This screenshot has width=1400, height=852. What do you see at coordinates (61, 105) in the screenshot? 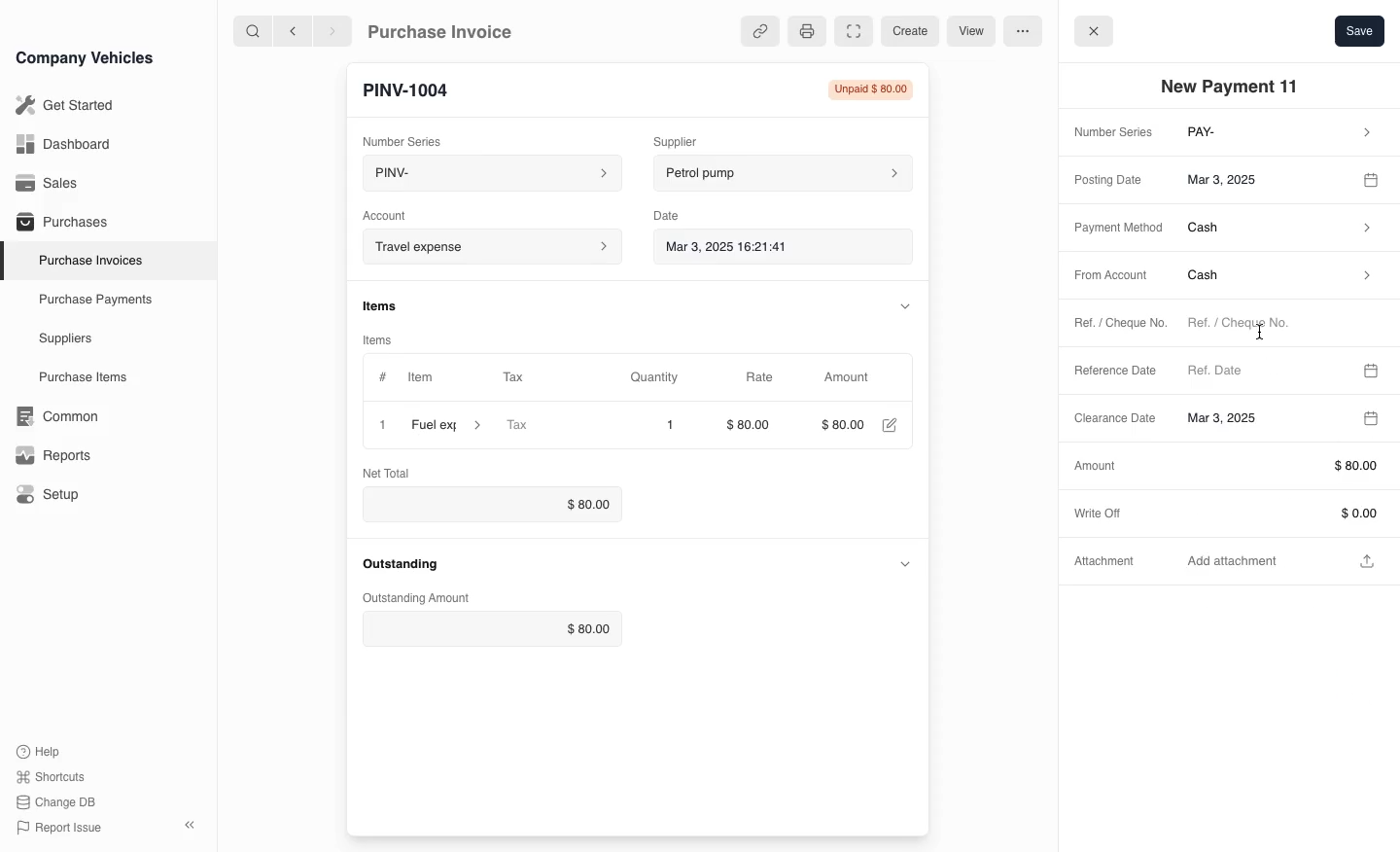
I see `Get Started` at bounding box center [61, 105].